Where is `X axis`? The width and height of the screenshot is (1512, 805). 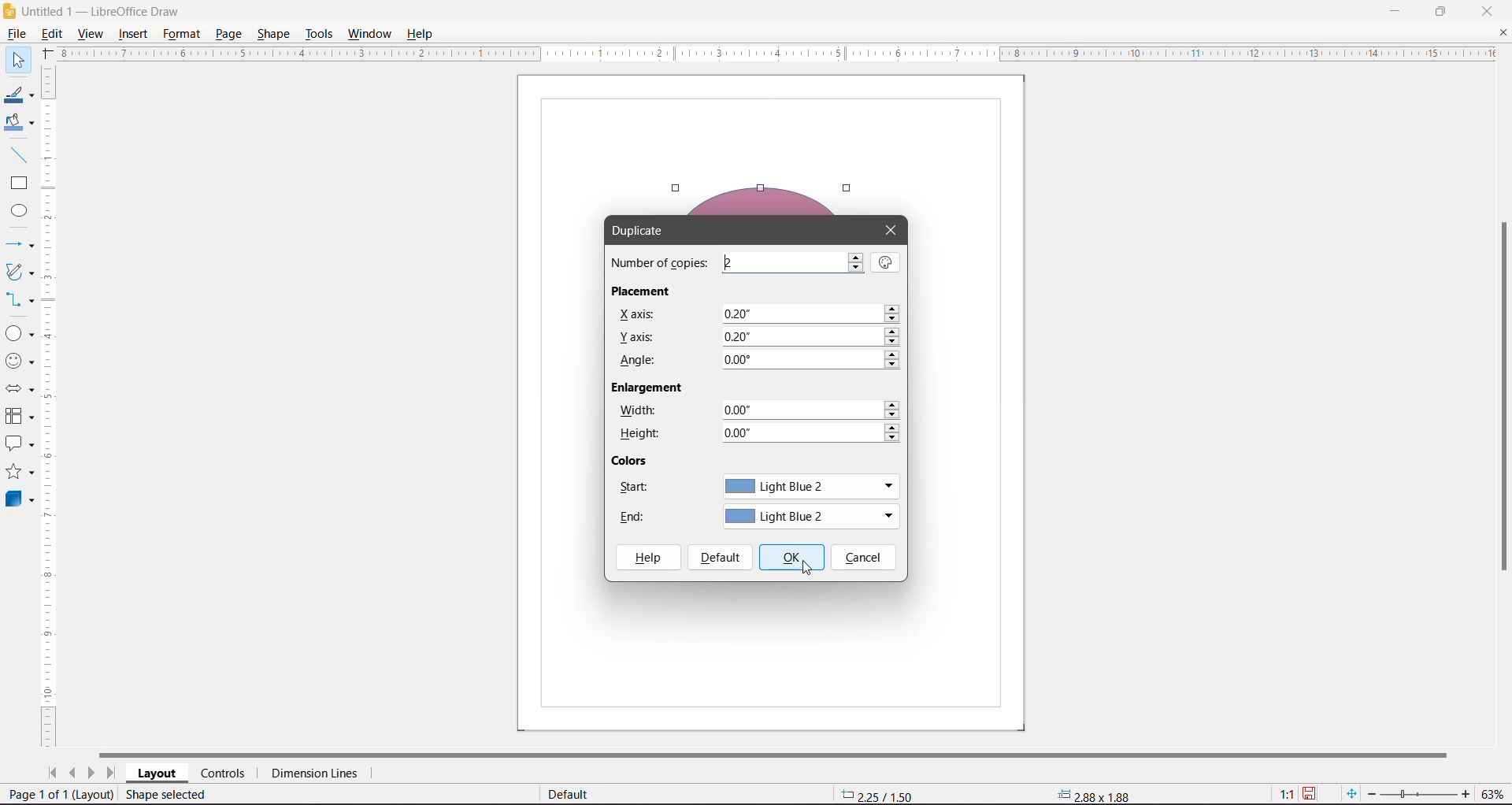 X axis is located at coordinates (640, 314).